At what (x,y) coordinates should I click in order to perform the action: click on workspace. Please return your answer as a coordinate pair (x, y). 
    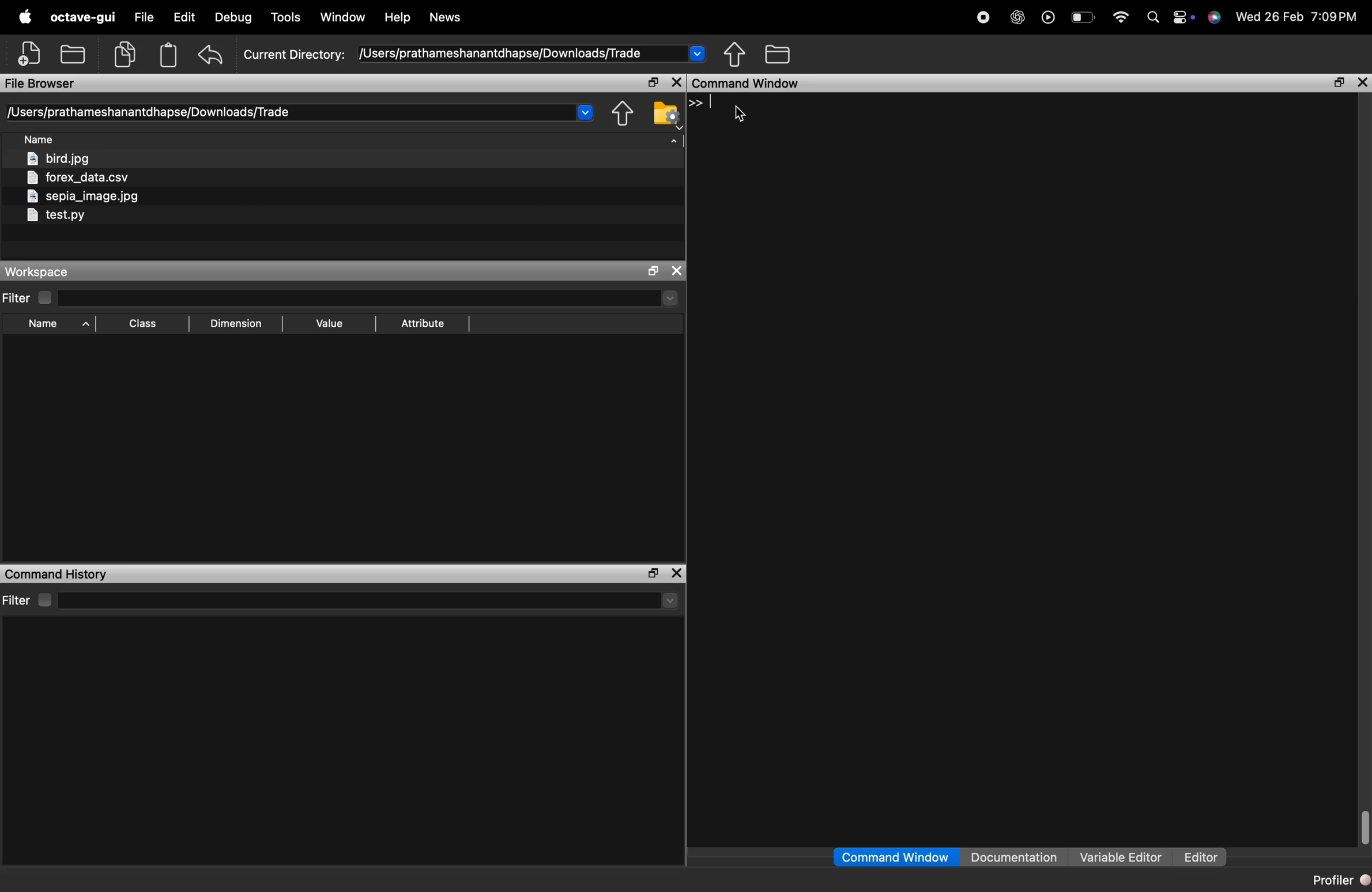
    Looking at the image, I should click on (57, 272).